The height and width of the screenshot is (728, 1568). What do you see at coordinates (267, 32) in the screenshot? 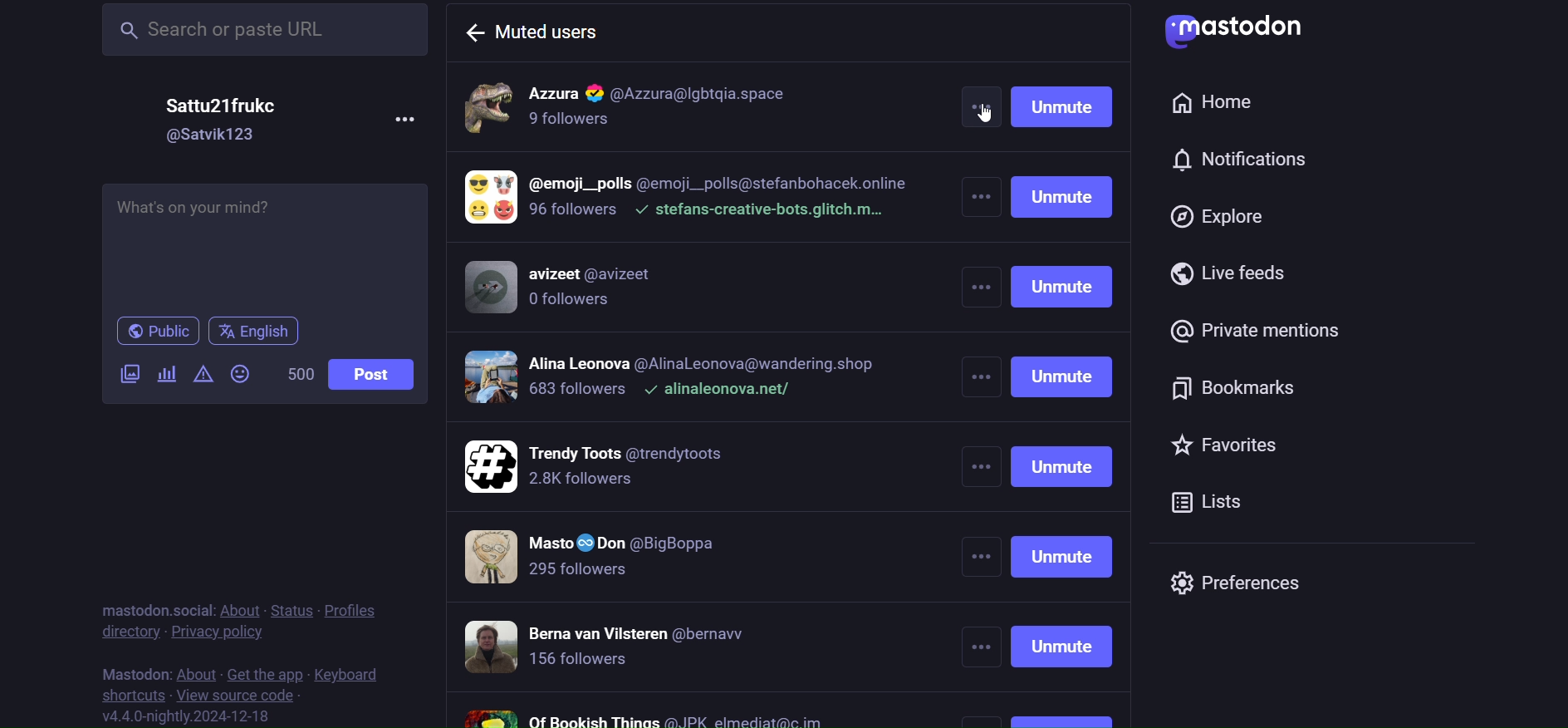
I see `search` at bounding box center [267, 32].